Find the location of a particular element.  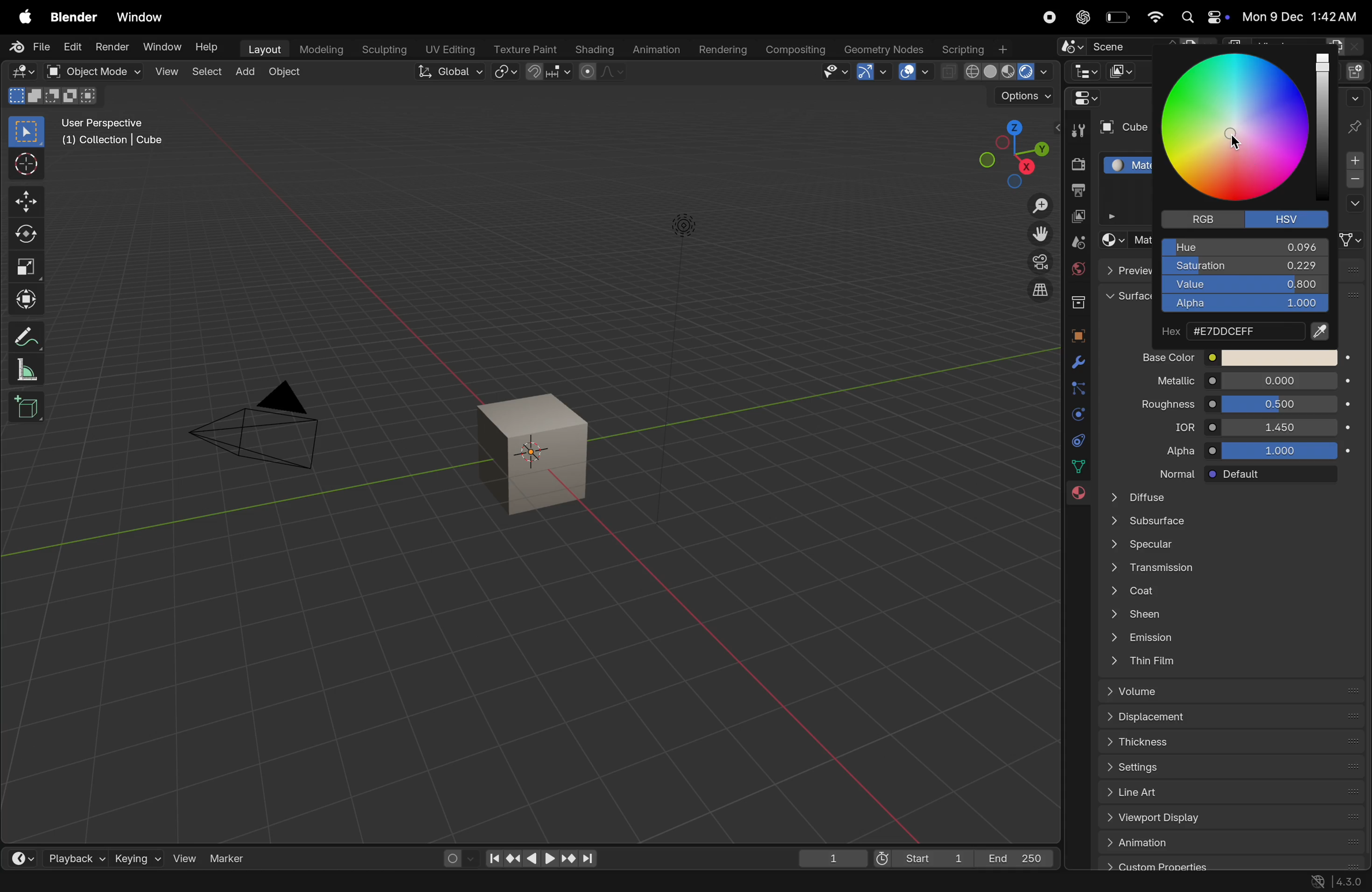

emmision is located at coordinates (1227, 640).